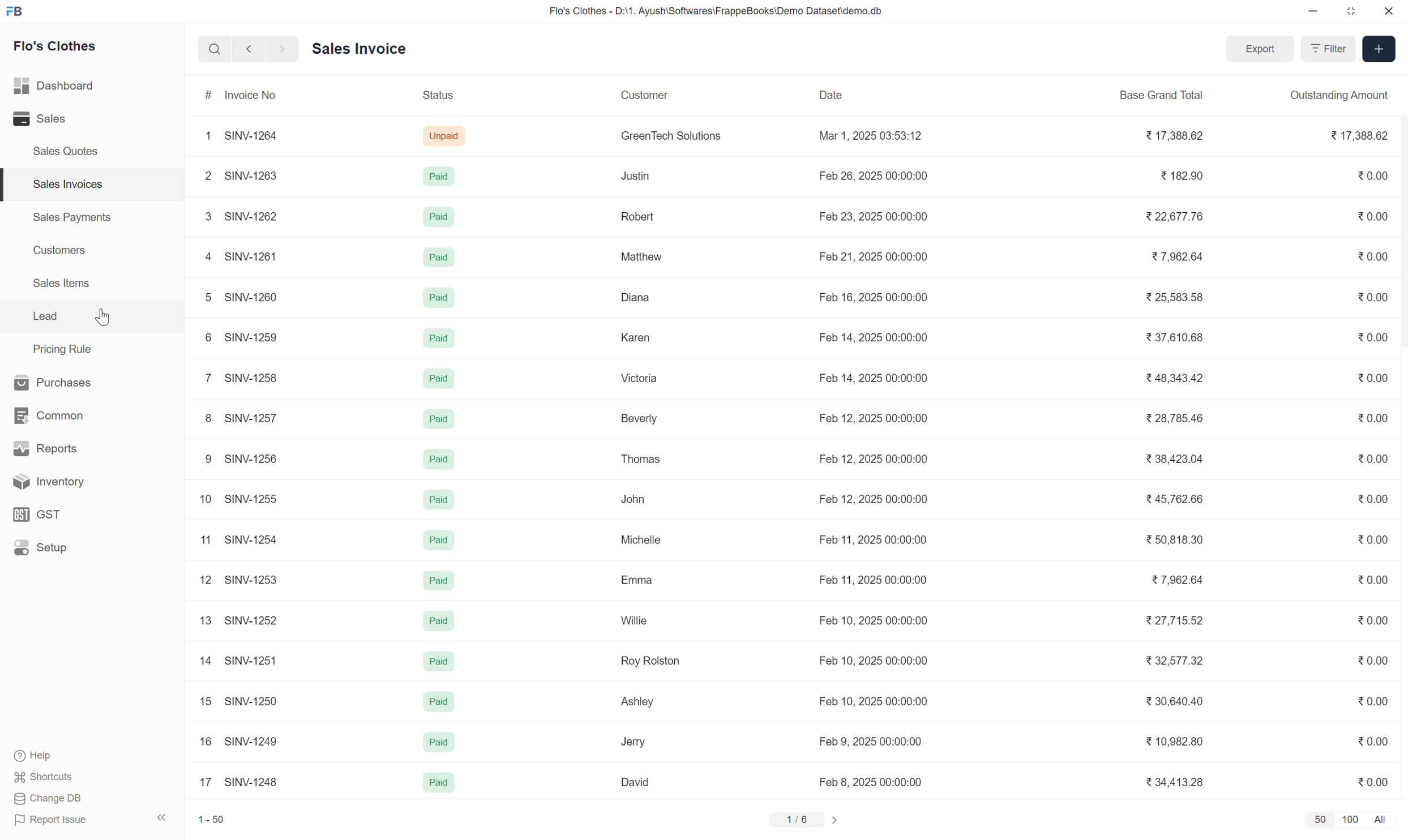 This screenshot has width=1408, height=840. Describe the element at coordinates (1325, 49) in the screenshot. I see `Filter` at that location.